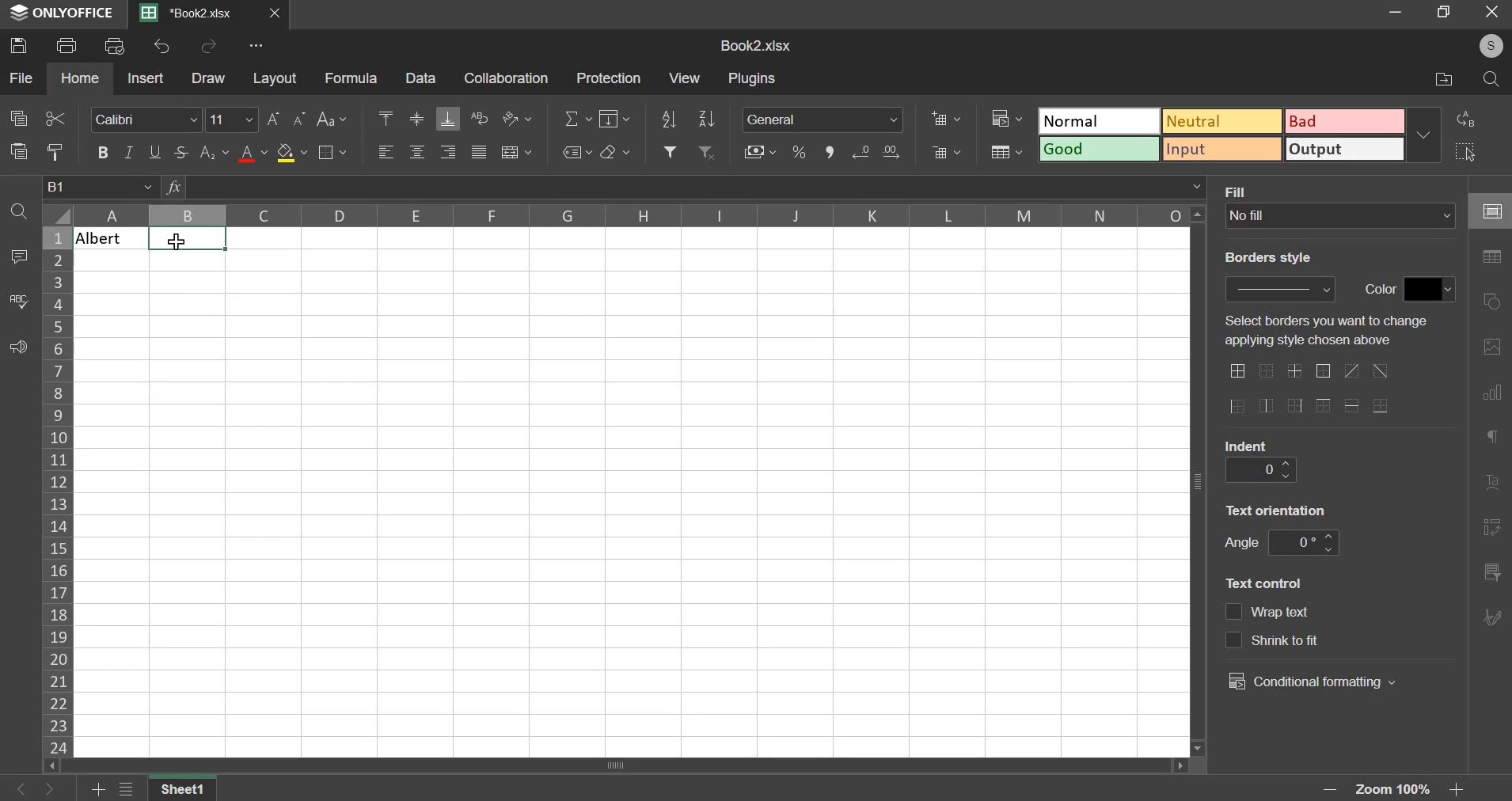  What do you see at coordinates (1257, 469) in the screenshot?
I see `indent` at bounding box center [1257, 469].